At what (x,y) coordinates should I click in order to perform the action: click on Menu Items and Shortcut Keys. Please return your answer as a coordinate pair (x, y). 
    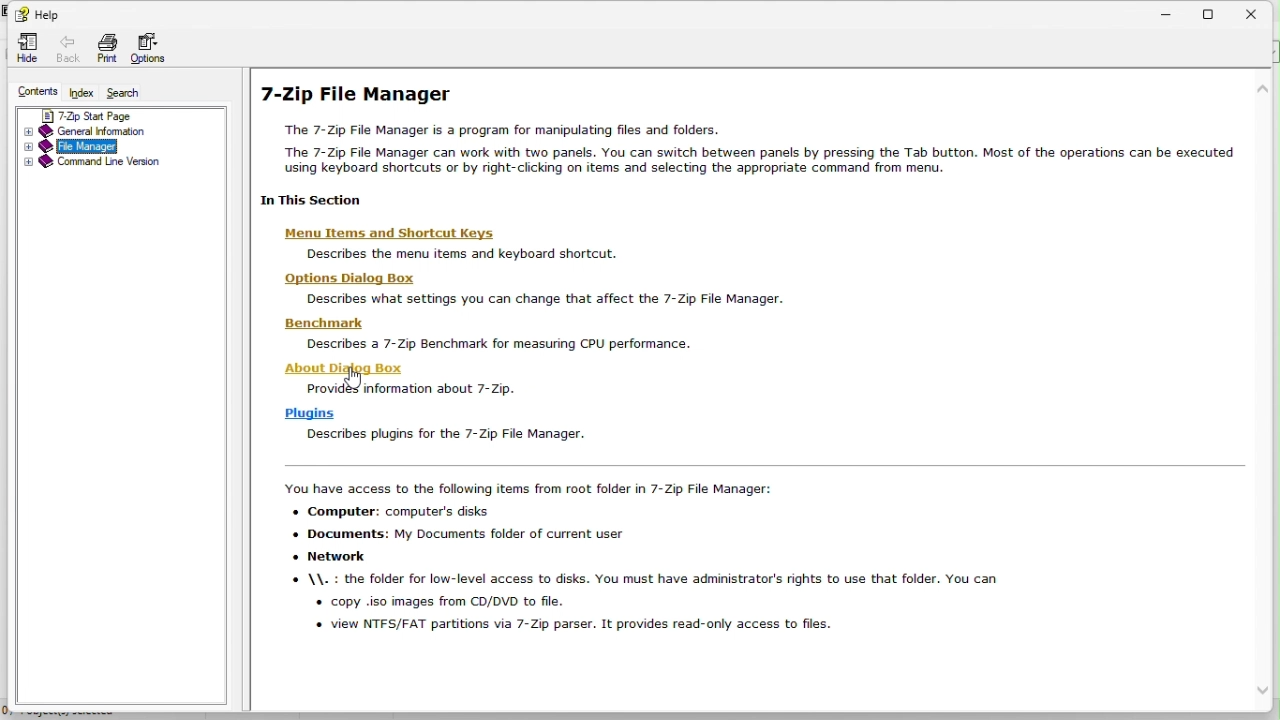
    Looking at the image, I should click on (394, 230).